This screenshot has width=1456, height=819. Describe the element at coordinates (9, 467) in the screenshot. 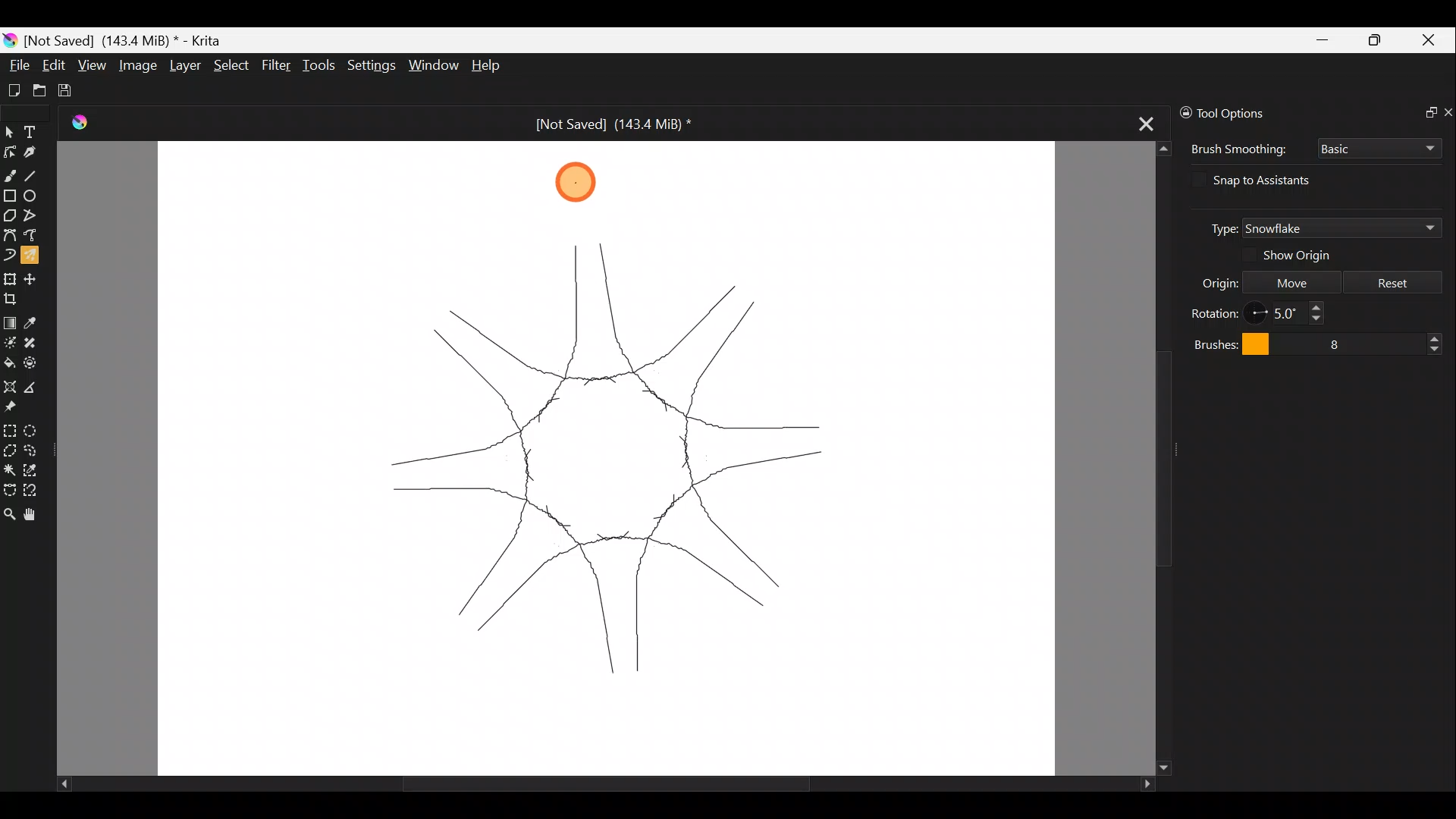

I see `Contiguous selection tool` at that location.